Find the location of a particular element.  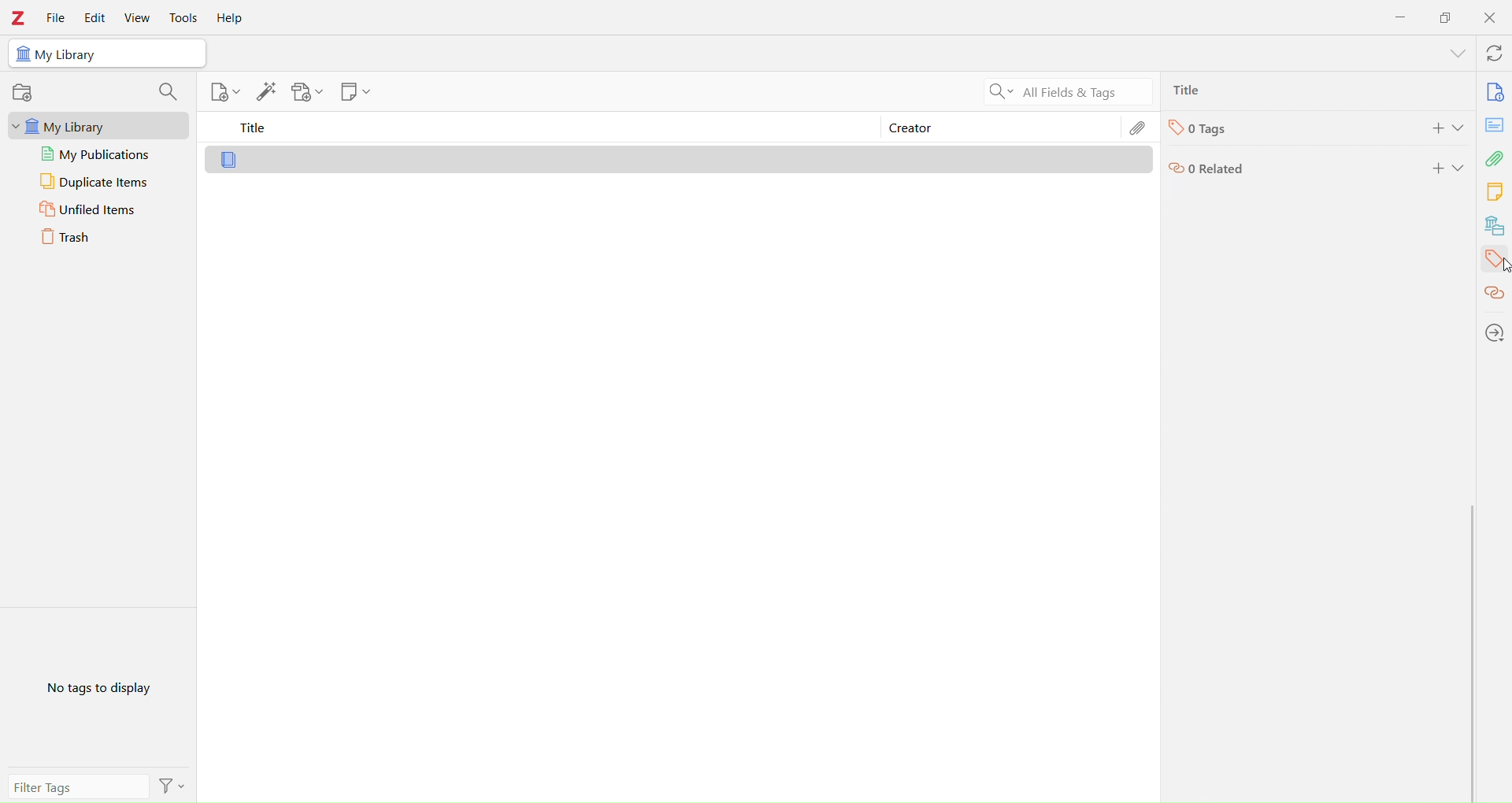

Related is located at coordinates (1205, 170).